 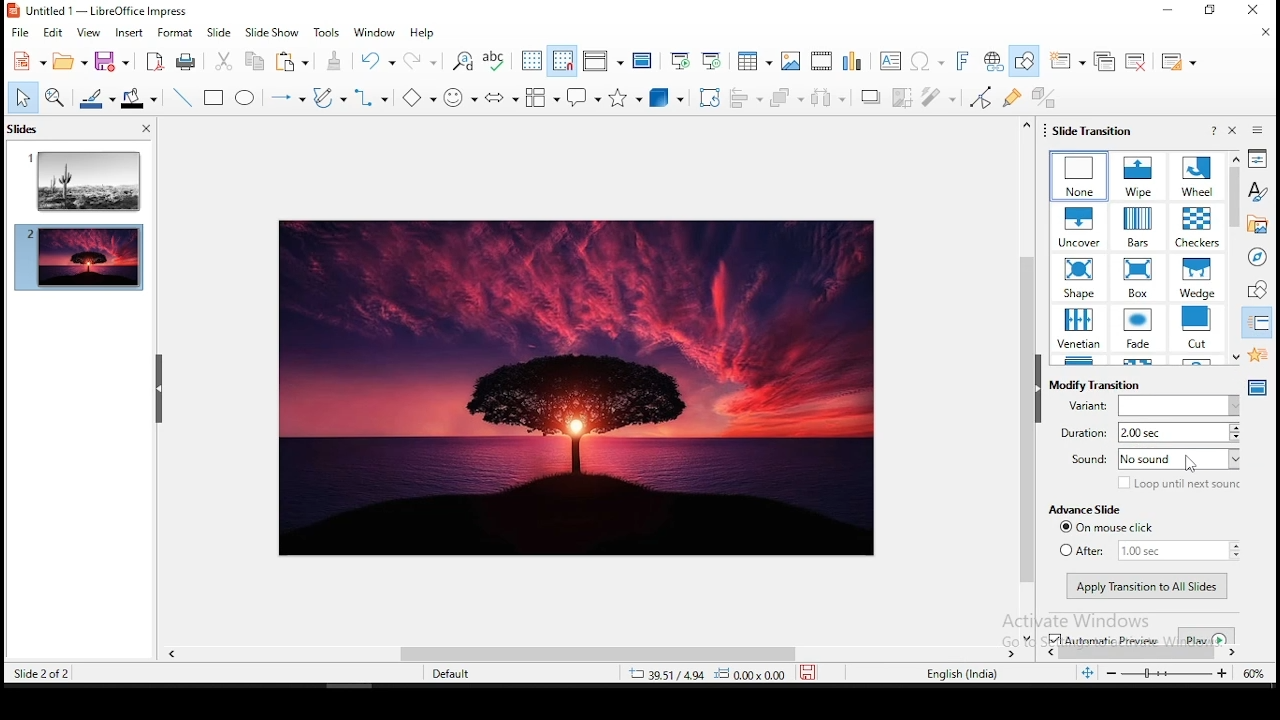 What do you see at coordinates (248, 97) in the screenshot?
I see `ellipse` at bounding box center [248, 97].